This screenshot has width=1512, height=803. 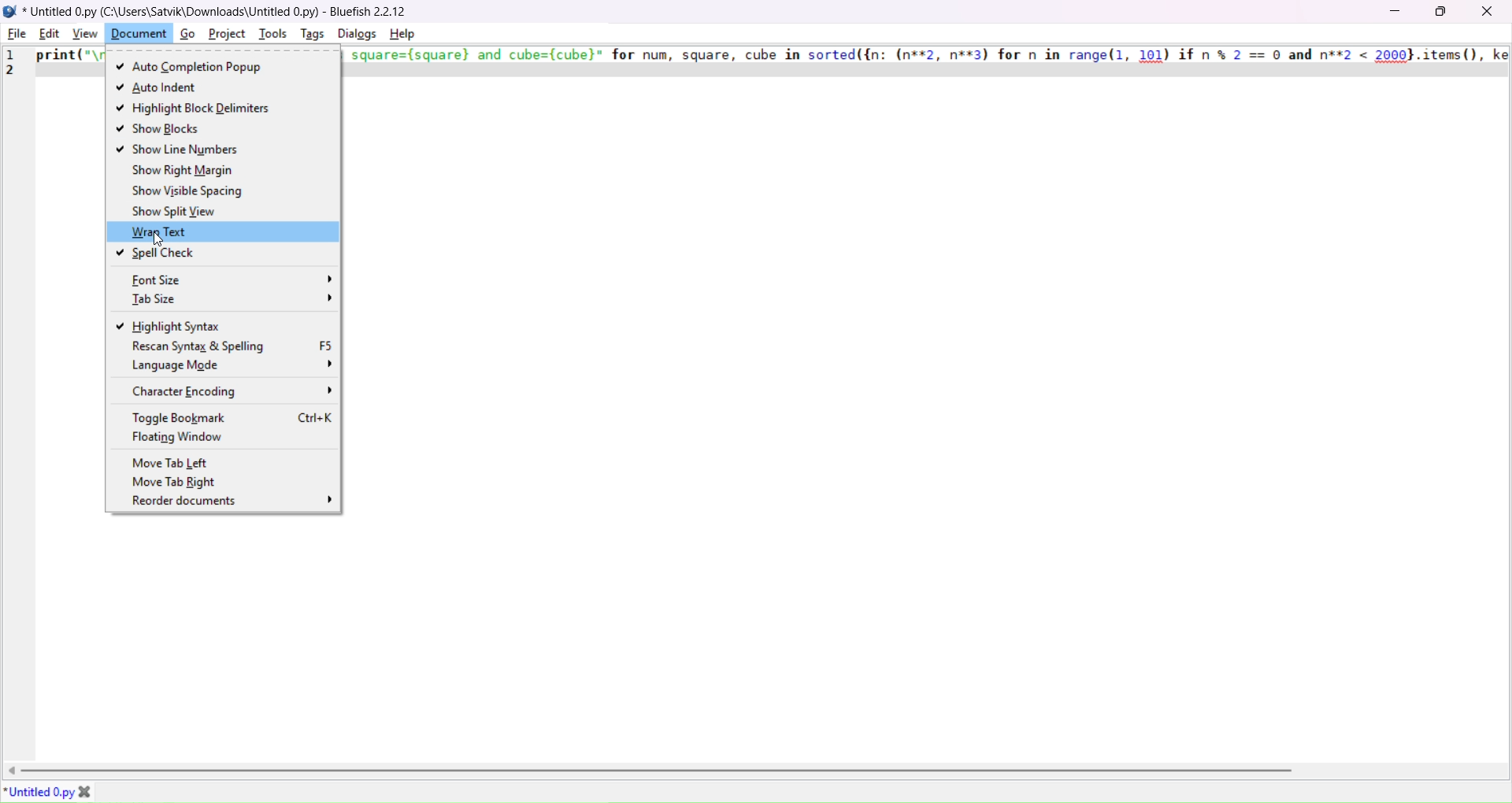 I want to click on maximize, so click(x=1439, y=10).